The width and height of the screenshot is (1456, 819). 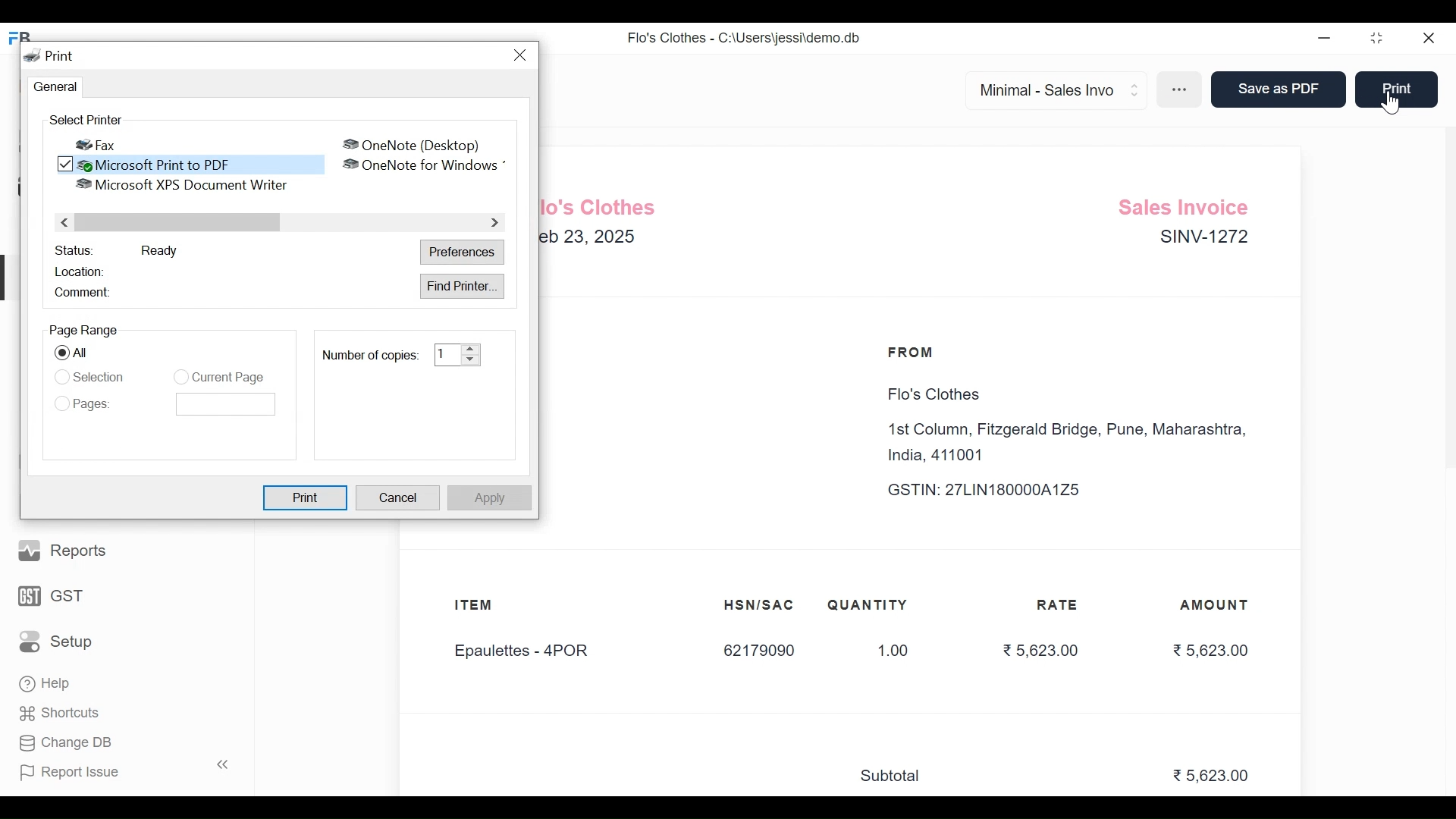 I want to click on Minimize, so click(x=1325, y=39).